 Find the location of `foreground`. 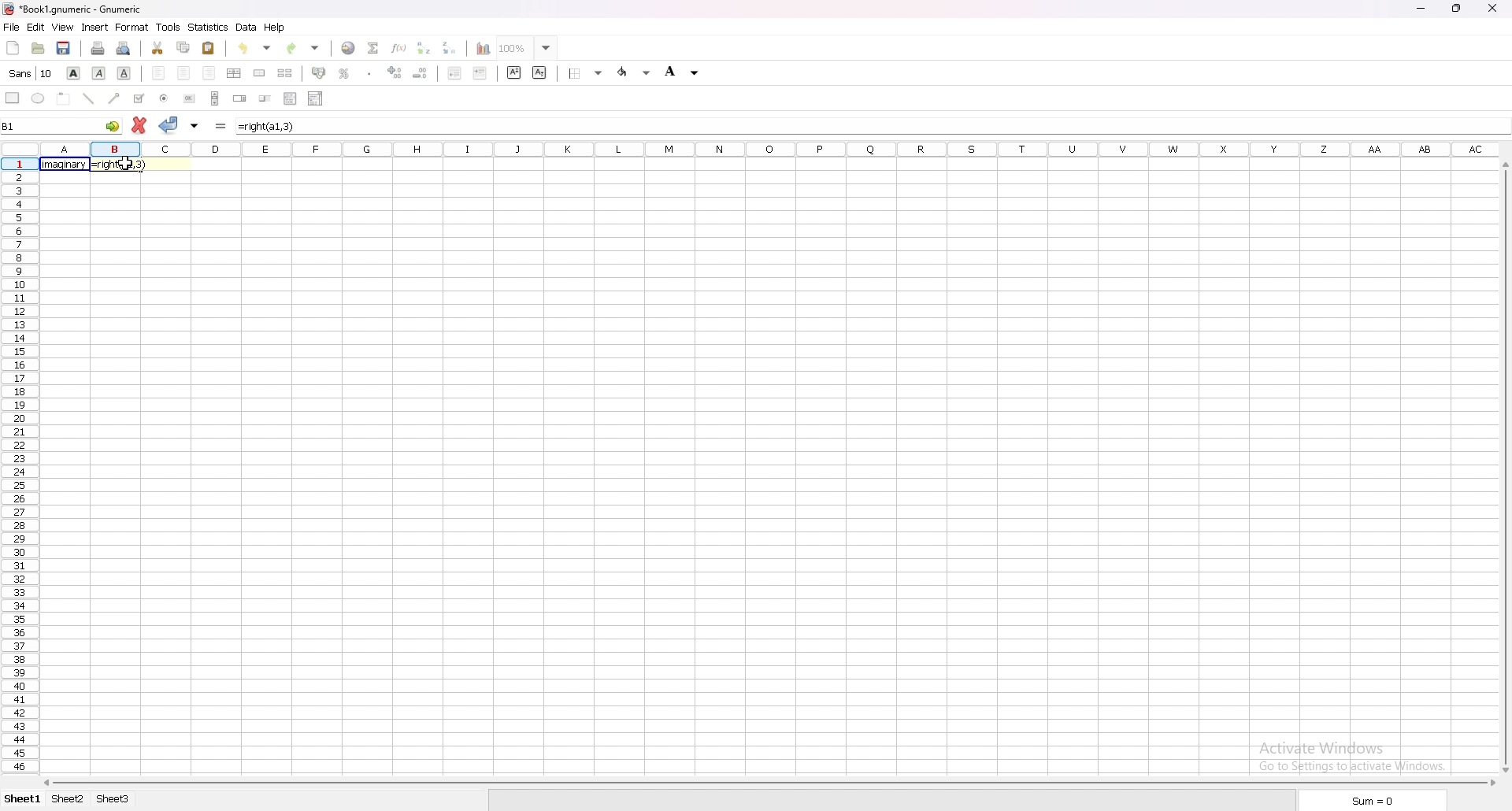

foreground is located at coordinates (636, 72).